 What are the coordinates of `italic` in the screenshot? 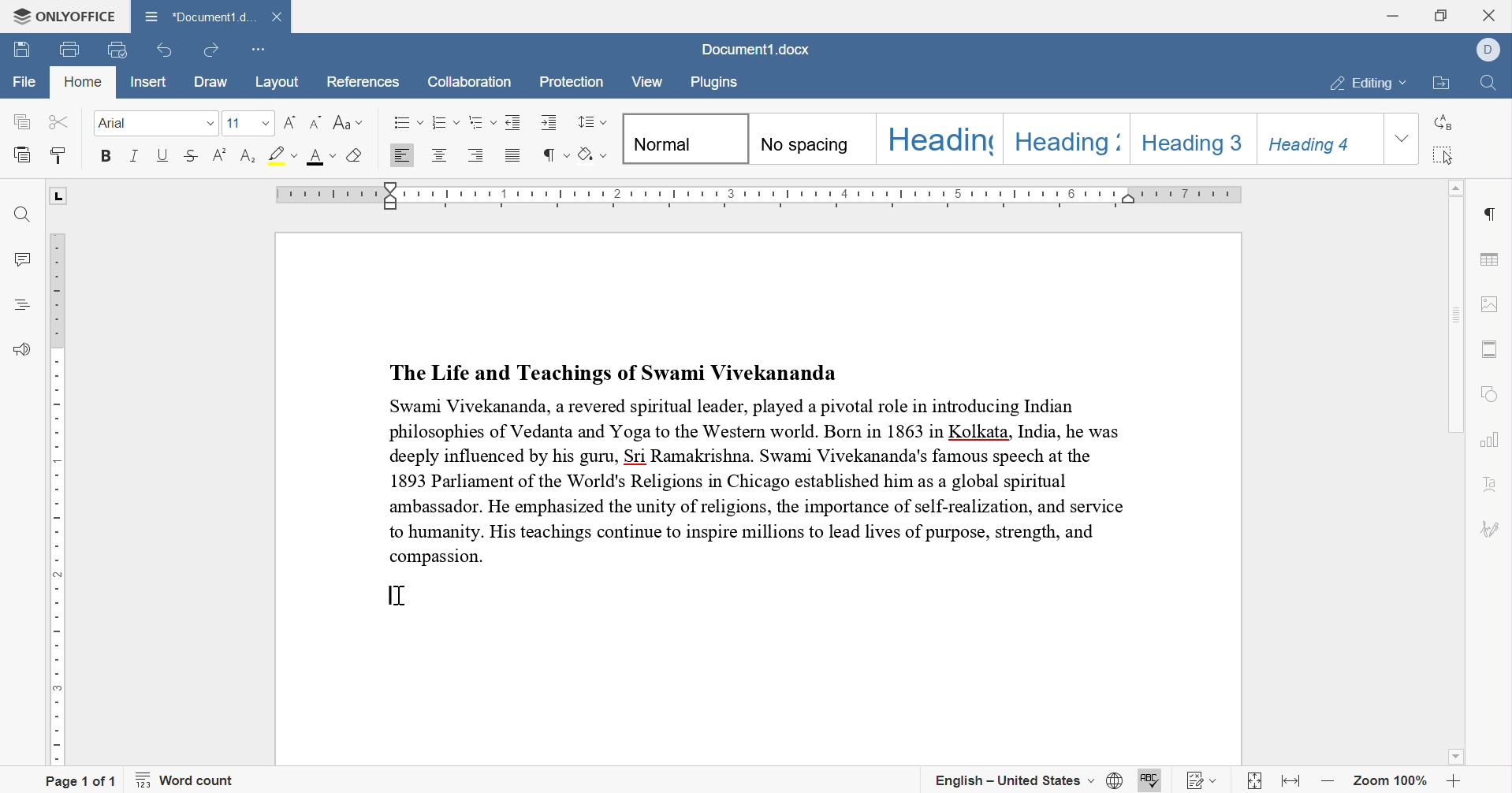 It's located at (136, 156).